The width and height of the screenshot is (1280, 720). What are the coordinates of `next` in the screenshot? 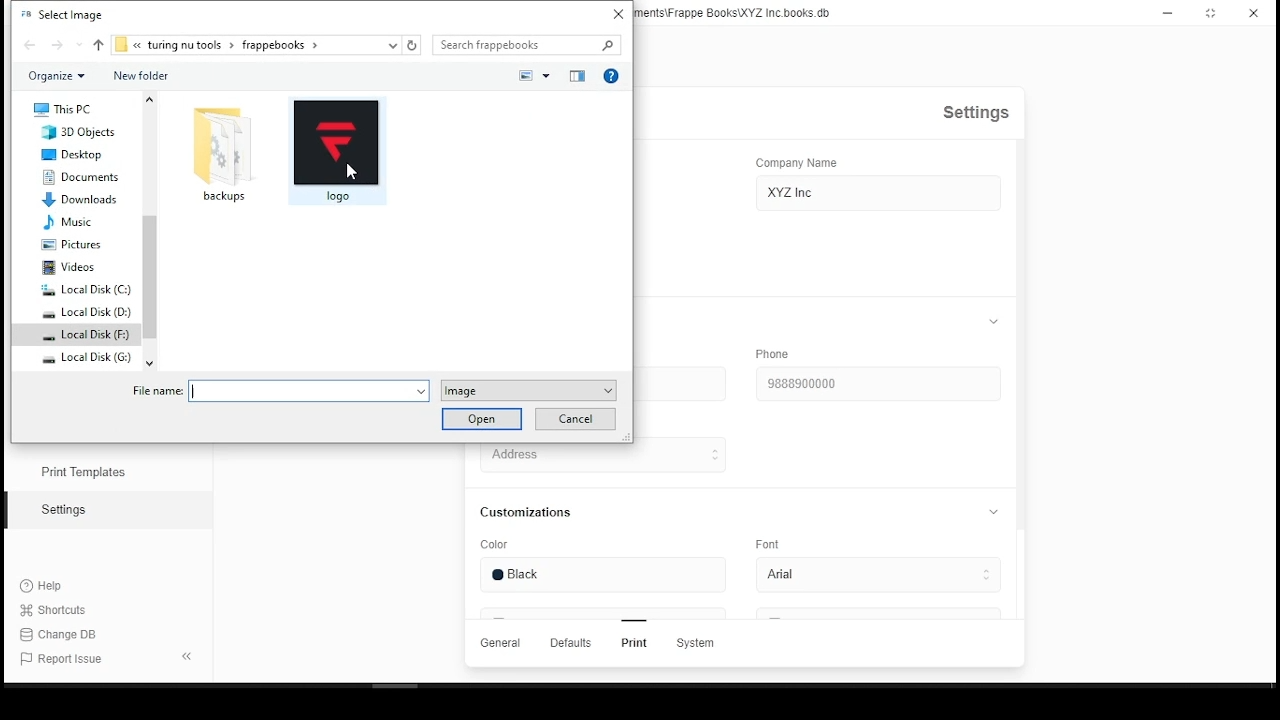 It's located at (65, 44).